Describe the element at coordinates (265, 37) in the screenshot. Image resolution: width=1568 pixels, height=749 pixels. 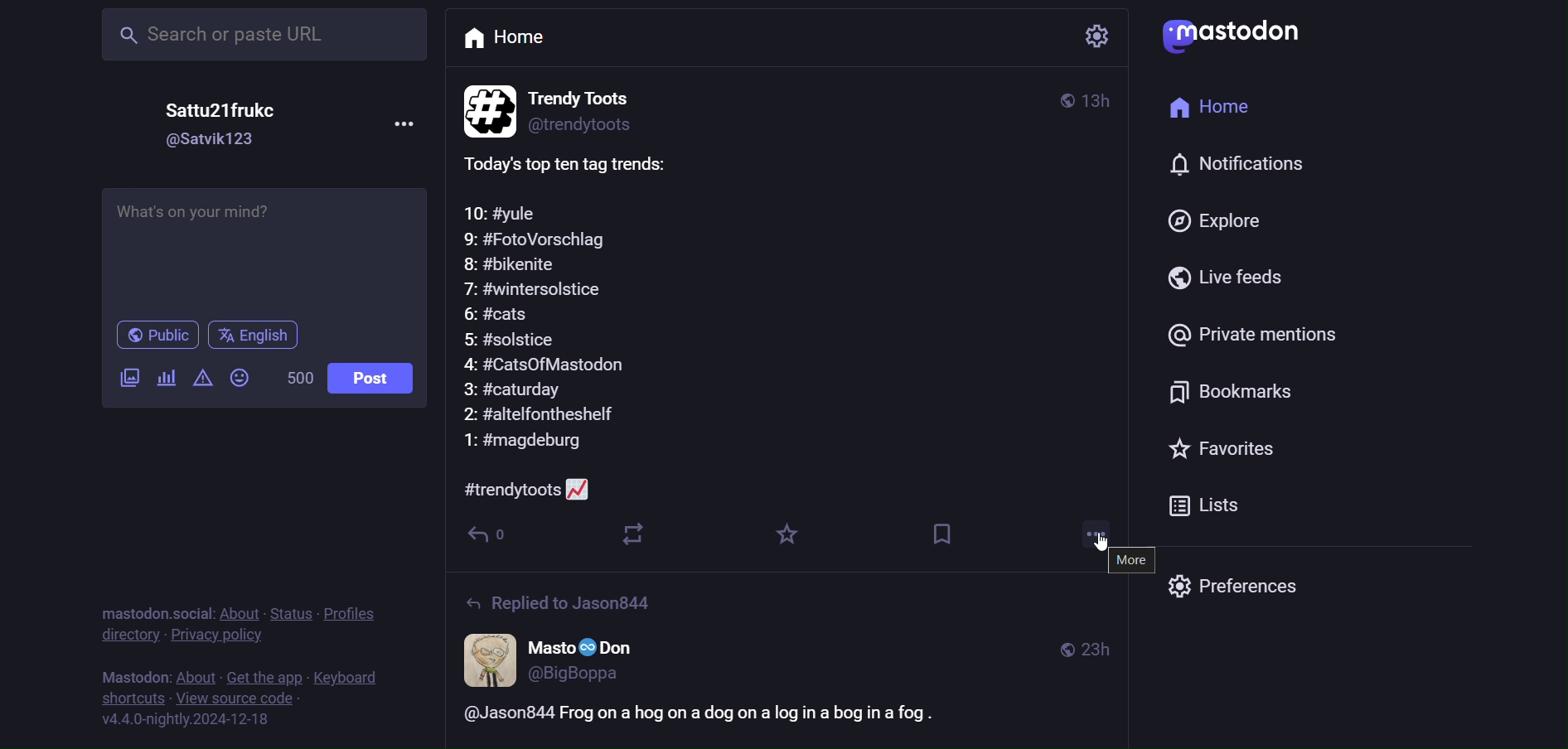
I see `search bar` at that location.